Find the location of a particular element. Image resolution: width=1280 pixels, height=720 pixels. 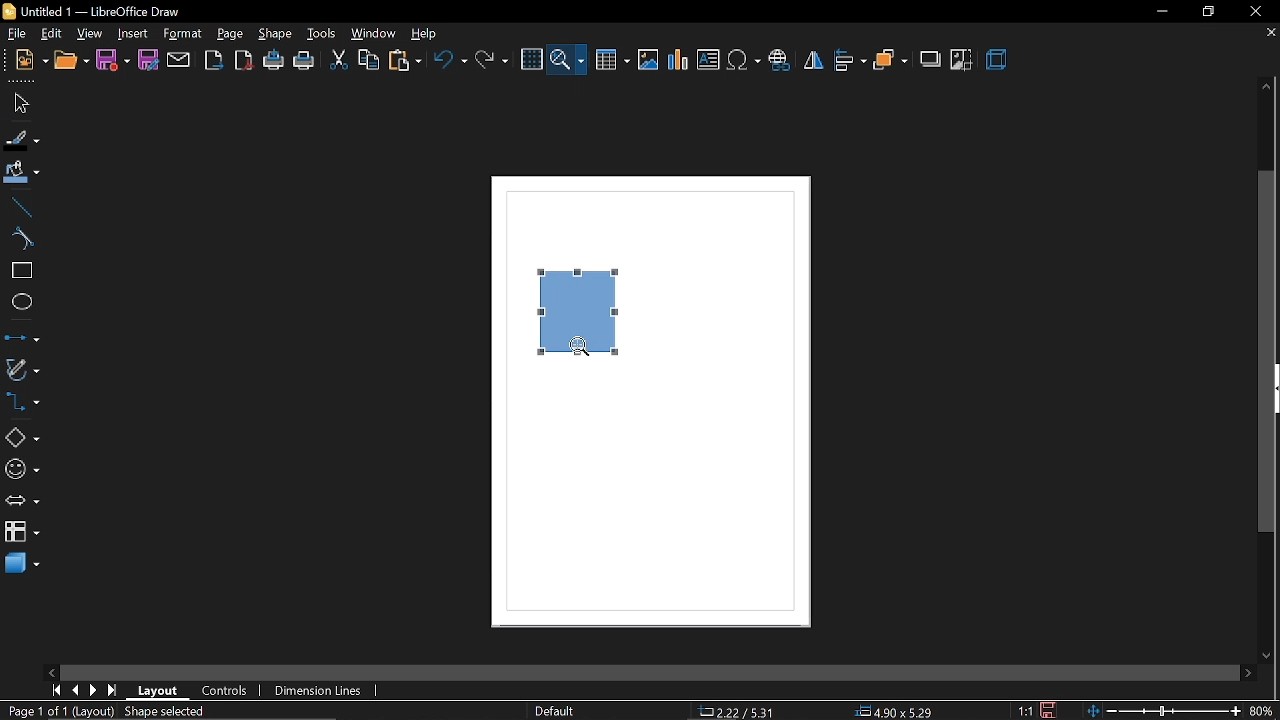

go to last page is located at coordinates (114, 690).